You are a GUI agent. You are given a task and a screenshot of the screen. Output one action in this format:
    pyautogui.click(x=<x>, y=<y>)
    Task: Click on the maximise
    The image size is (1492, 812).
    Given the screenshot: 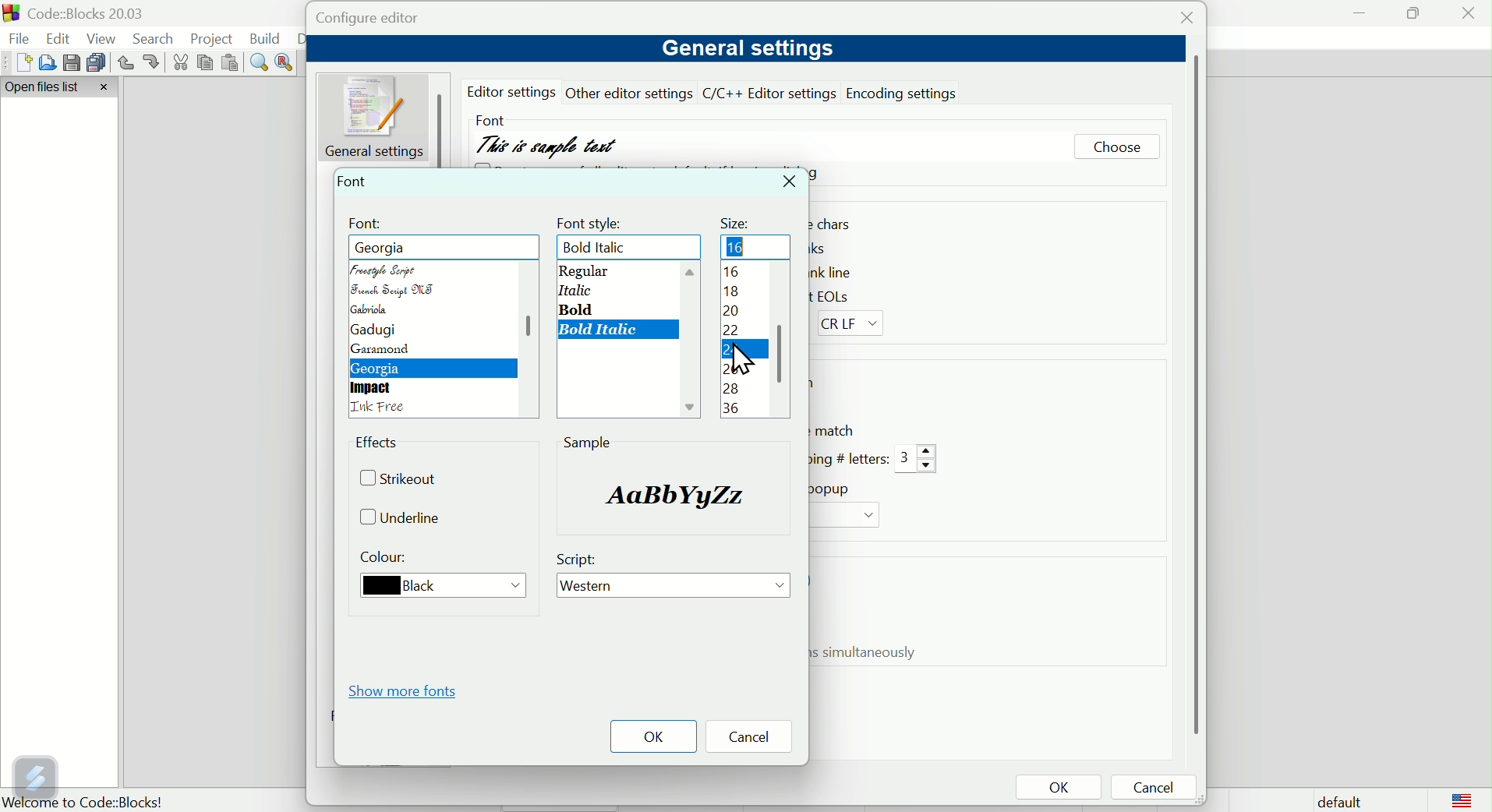 What is the action you would take?
    pyautogui.click(x=1412, y=12)
    